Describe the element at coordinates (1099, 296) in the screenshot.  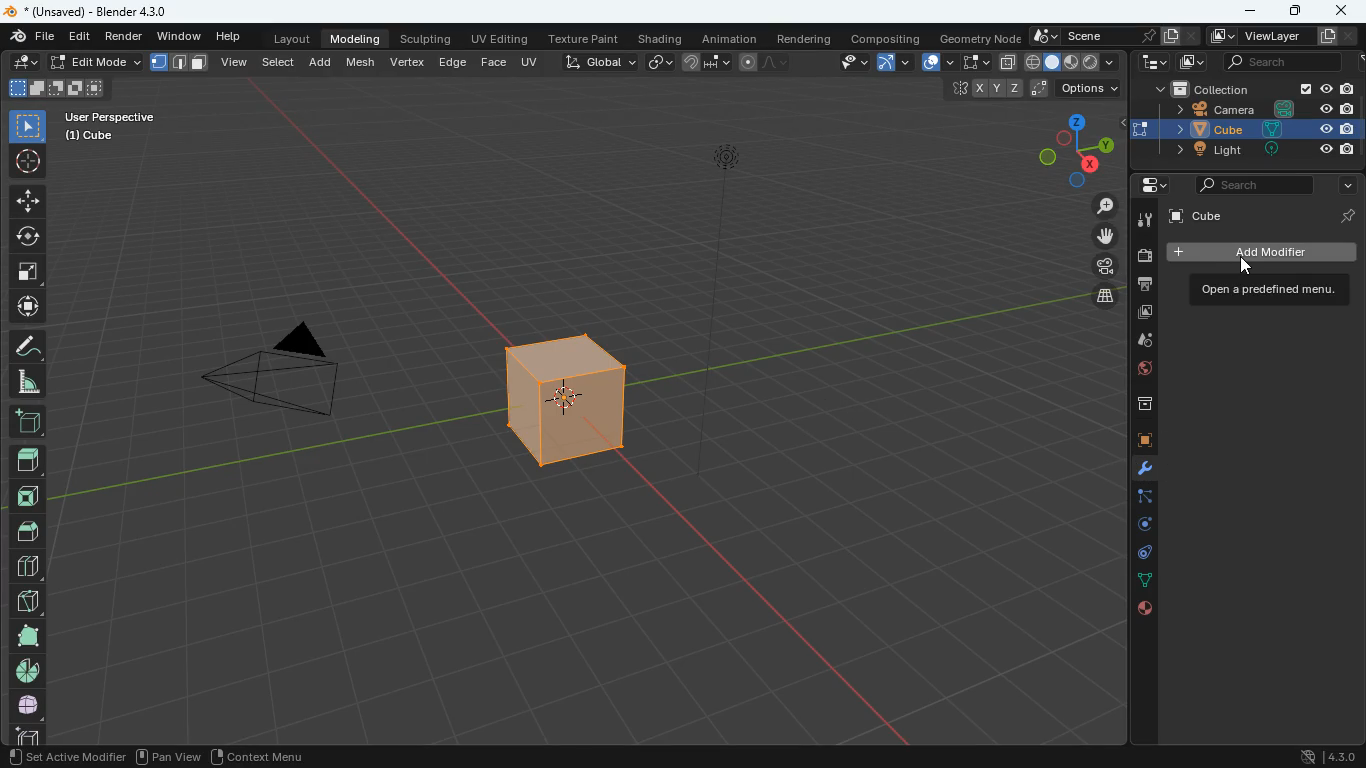
I see `layers` at that location.